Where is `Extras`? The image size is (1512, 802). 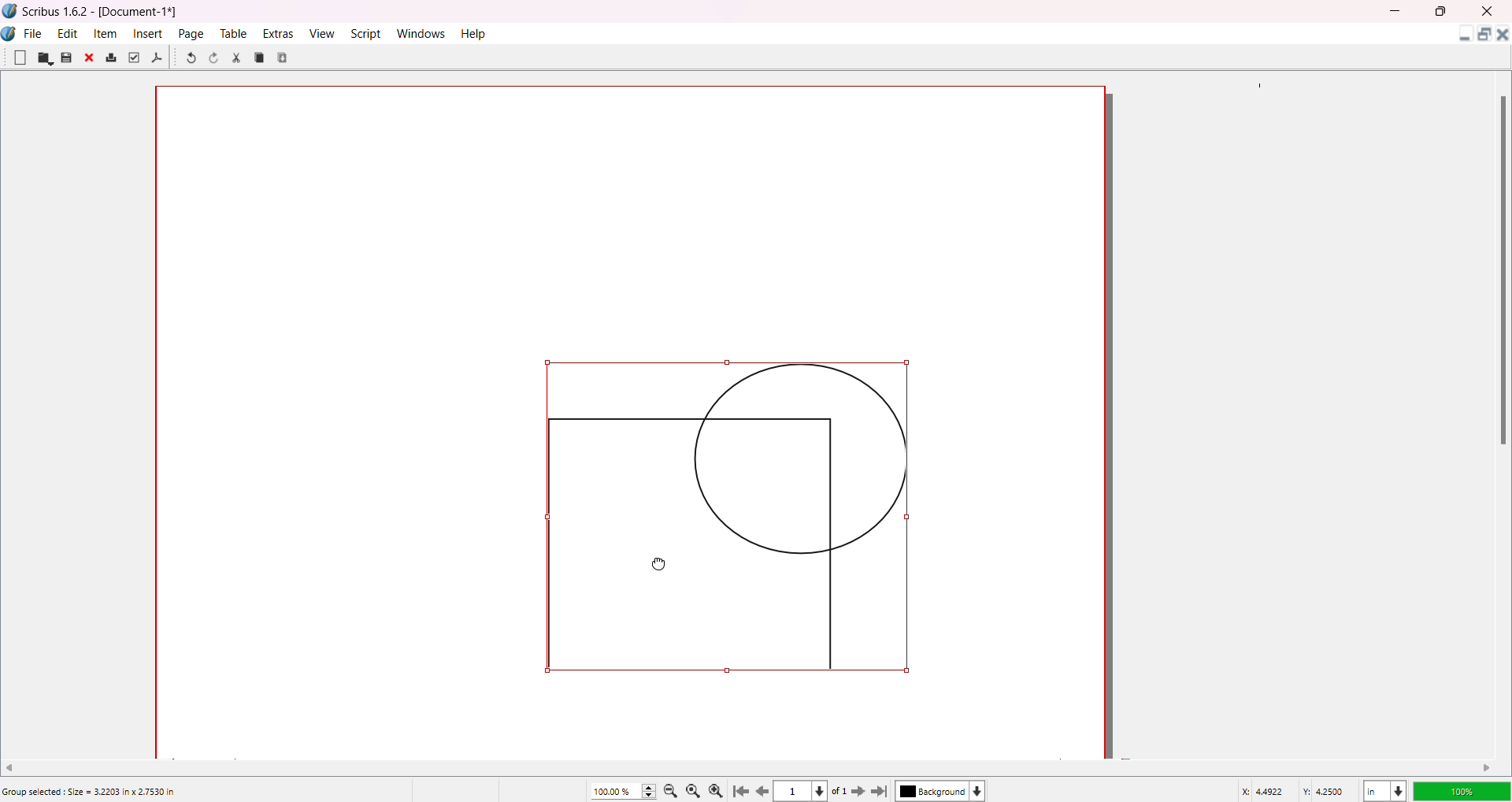 Extras is located at coordinates (279, 33).